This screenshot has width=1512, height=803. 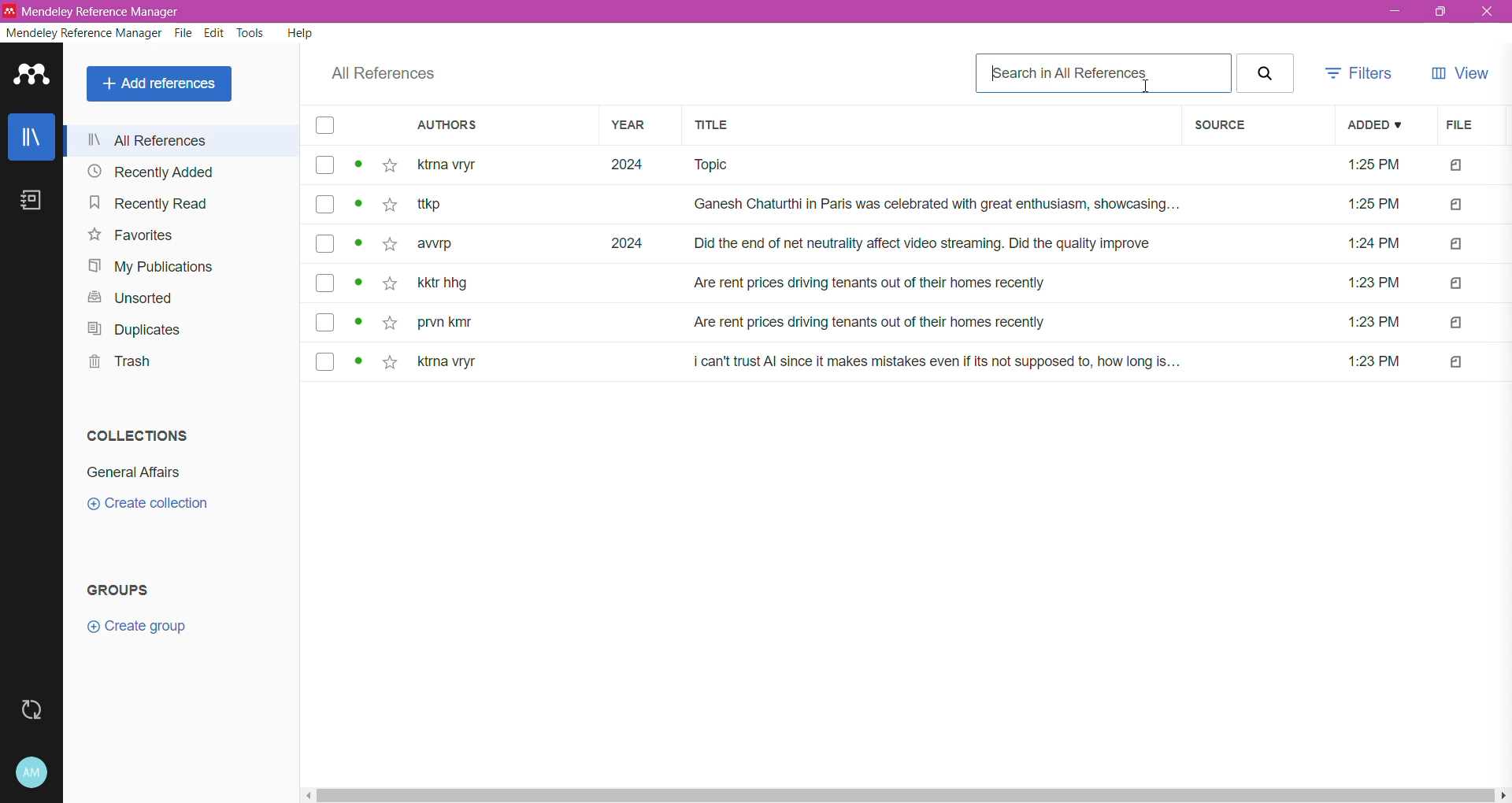 What do you see at coordinates (1503, 796) in the screenshot?
I see `move right` at bounding box center [1503, 796].